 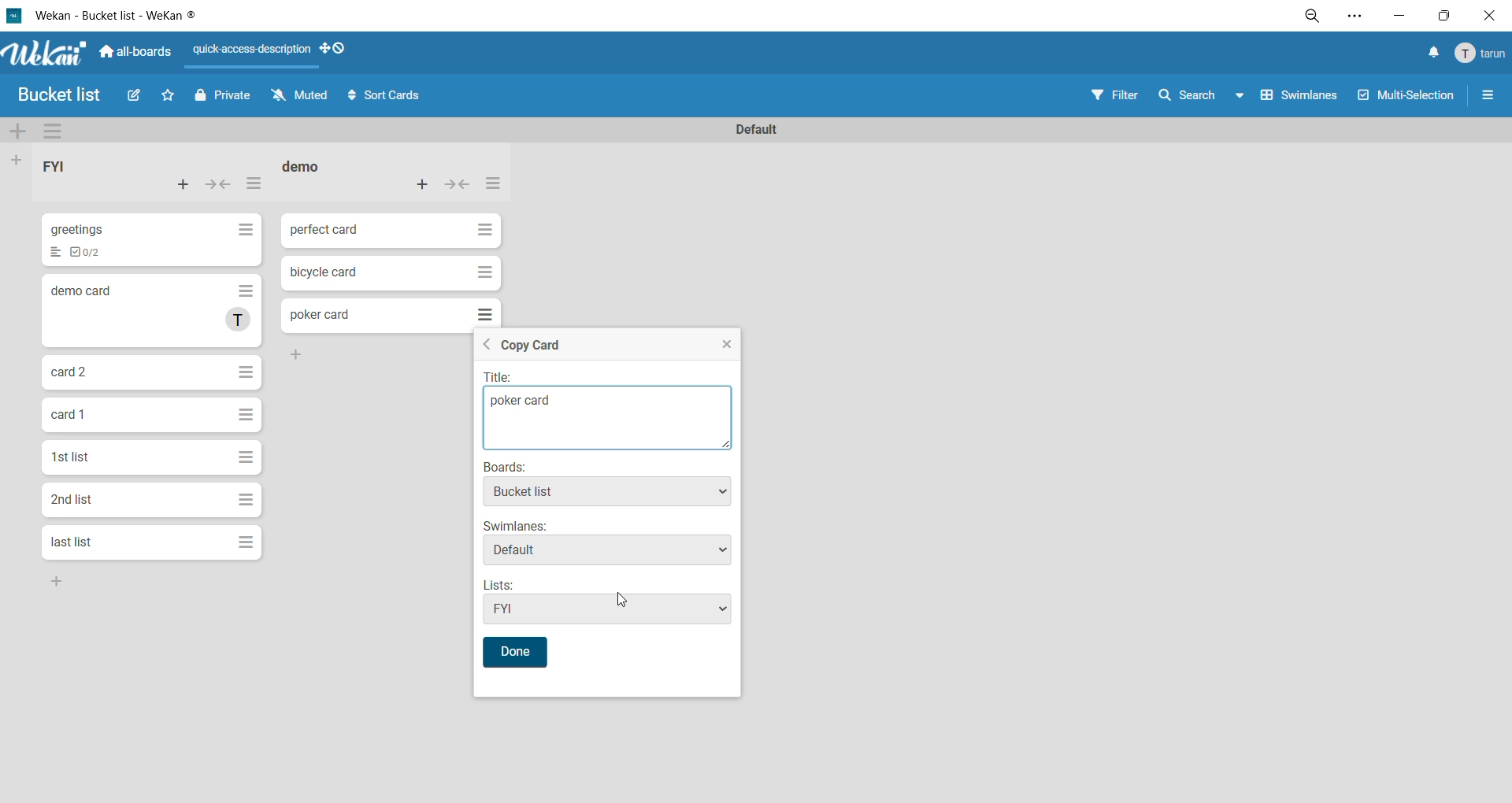 I want to click on collapse, so click(x=221, y=185).